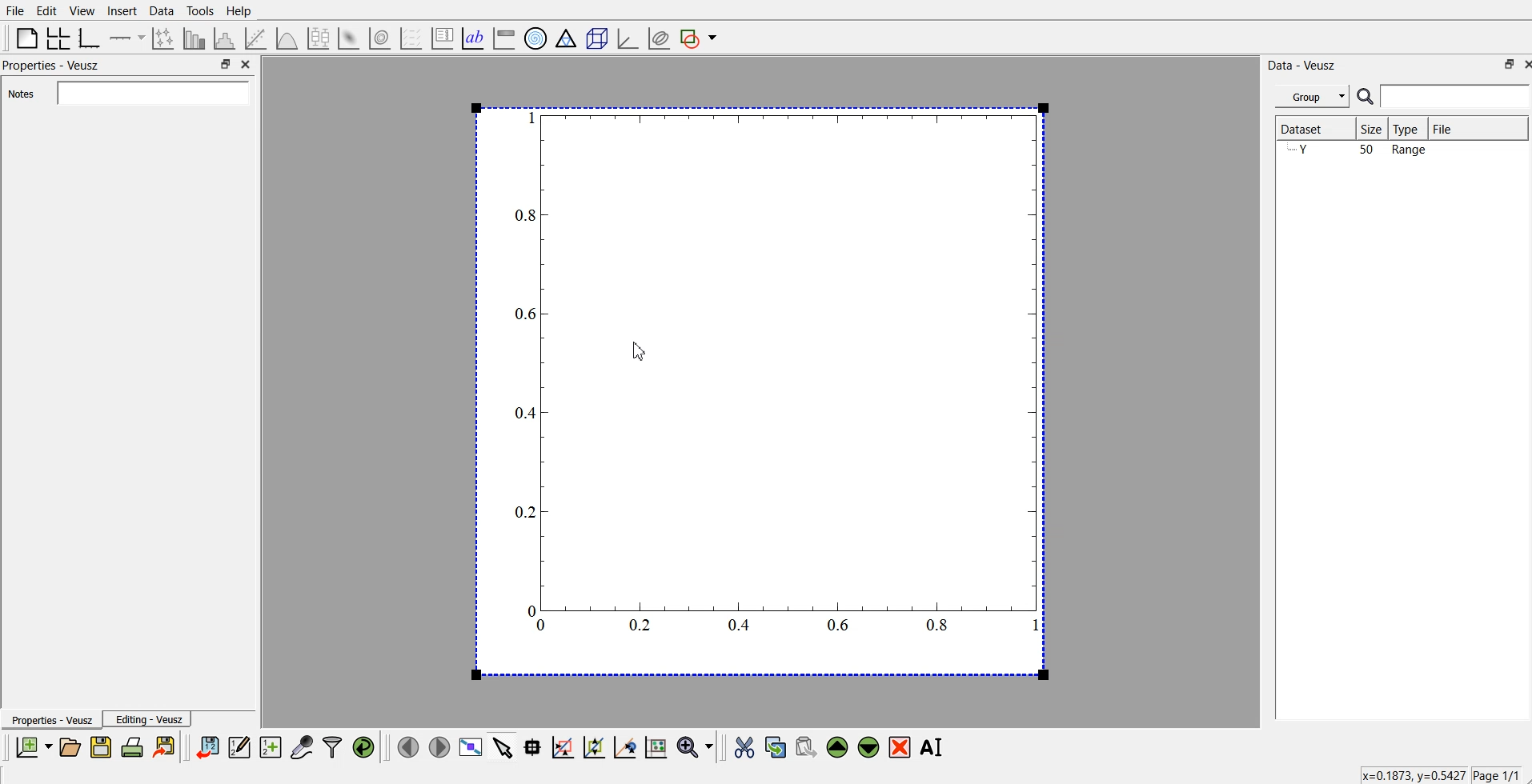 The image size is (1532, 784). What do you see at coordinates (1496, 774) in the screenshot?
I see `Page 1/1 ` at bounding box center [1496, 774].